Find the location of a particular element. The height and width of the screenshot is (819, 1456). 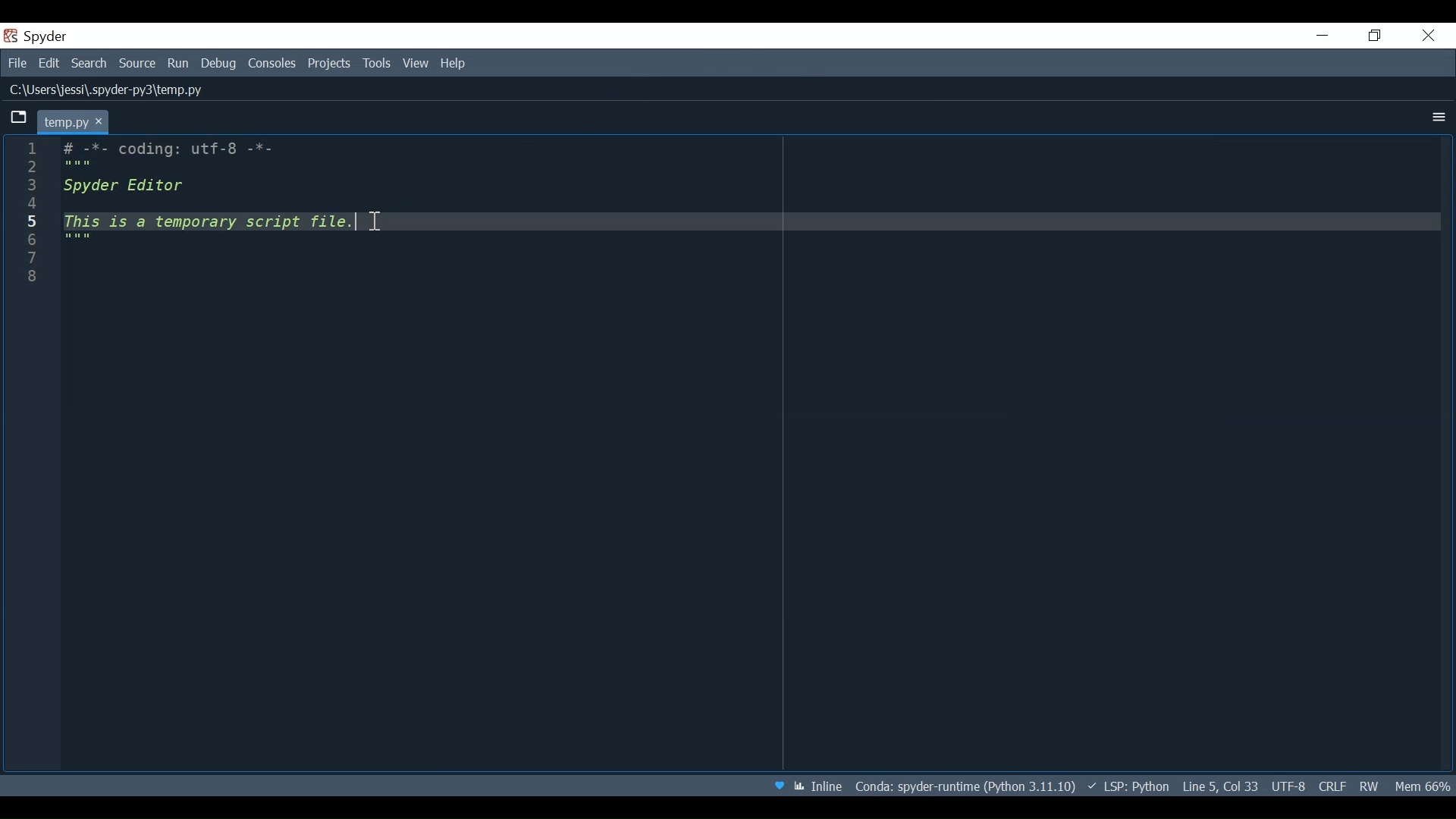

Memory Usage is located at coordinates (1421, 786).